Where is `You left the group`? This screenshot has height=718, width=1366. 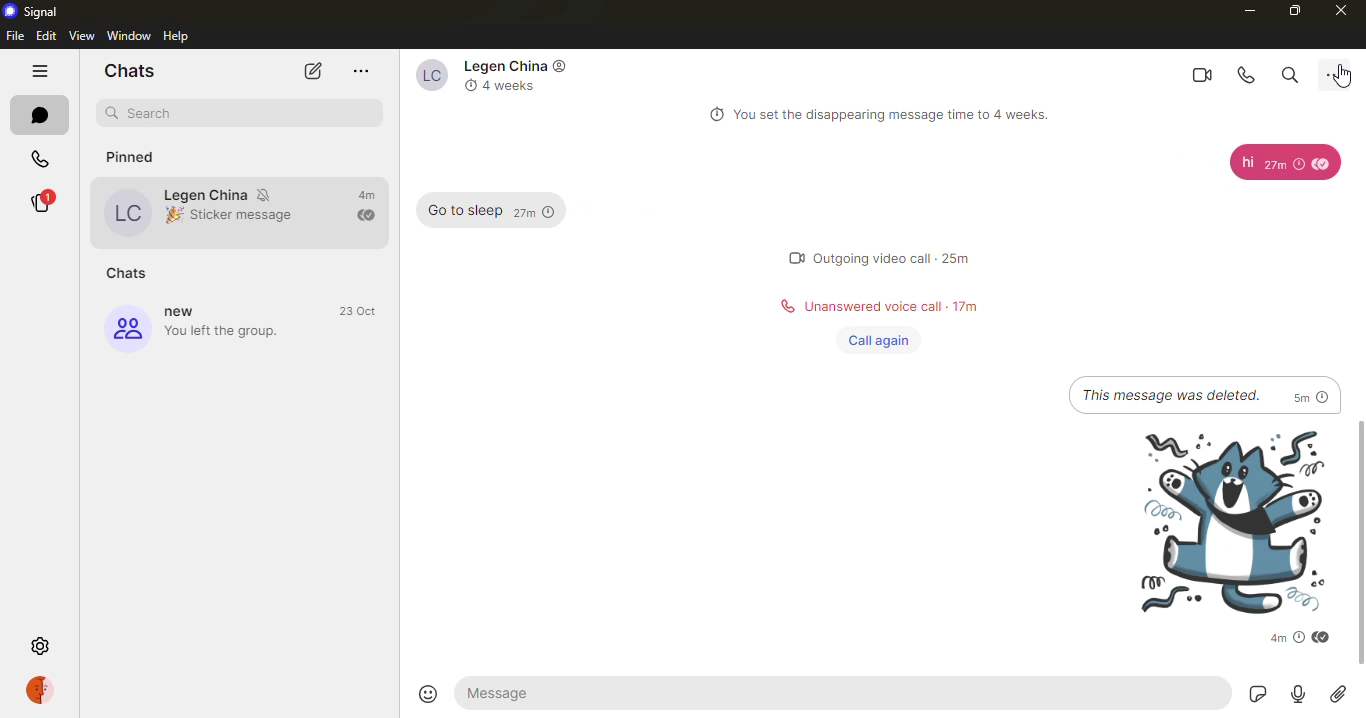
You left the group is located at coordinates (227, 332).